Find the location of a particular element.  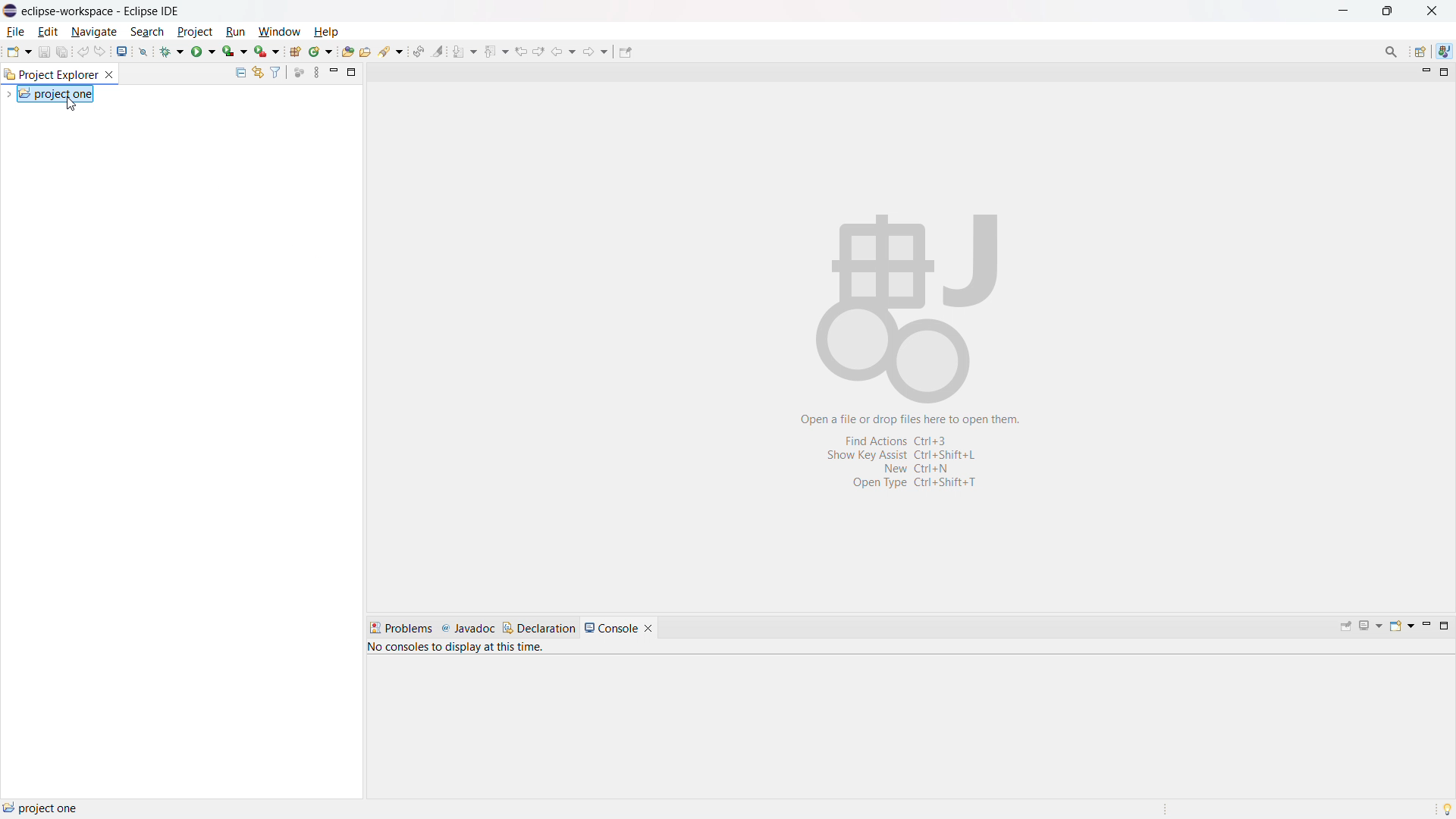

project explorer is located at coordinates (50, 74).